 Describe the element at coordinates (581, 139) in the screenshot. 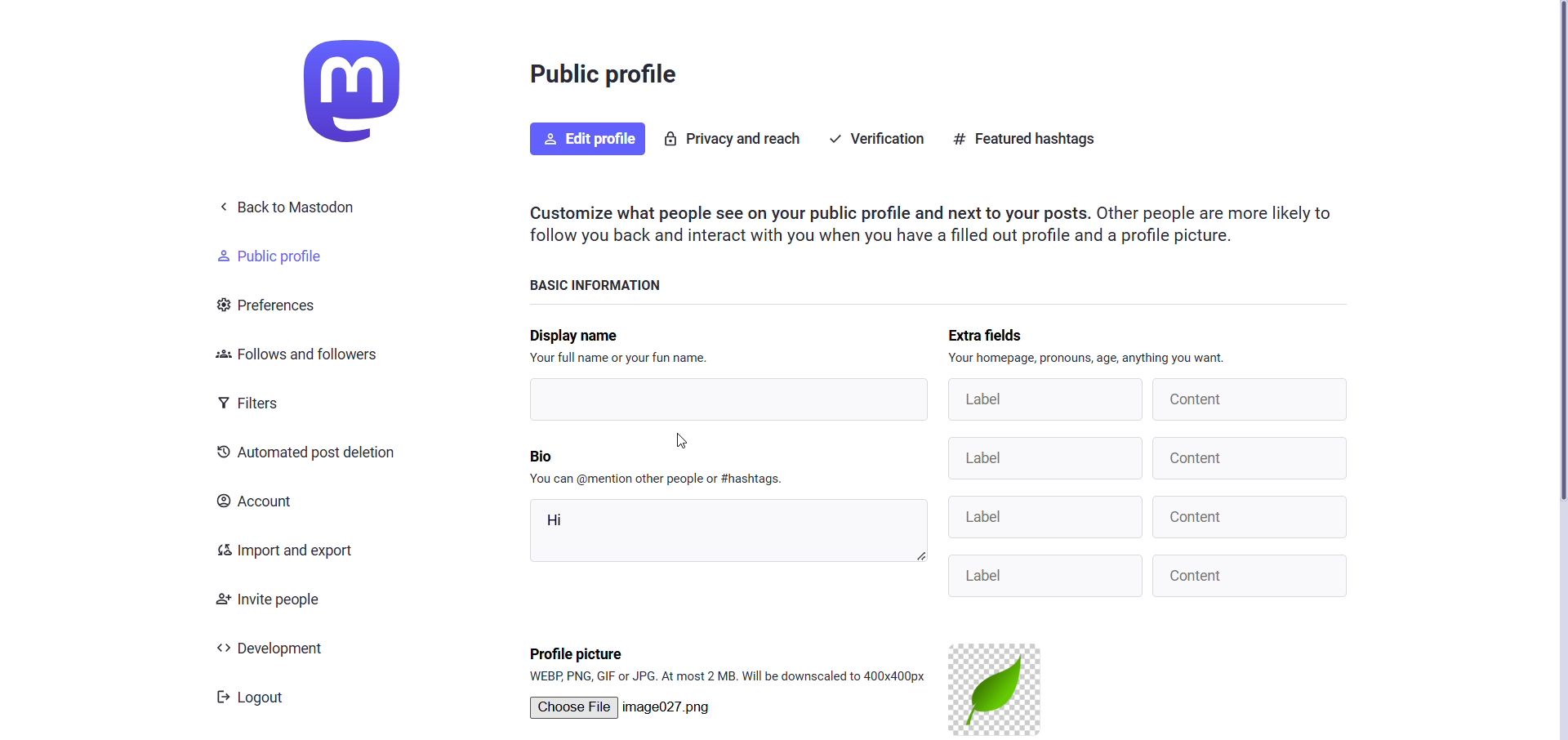

I see `edit profile` at that location.